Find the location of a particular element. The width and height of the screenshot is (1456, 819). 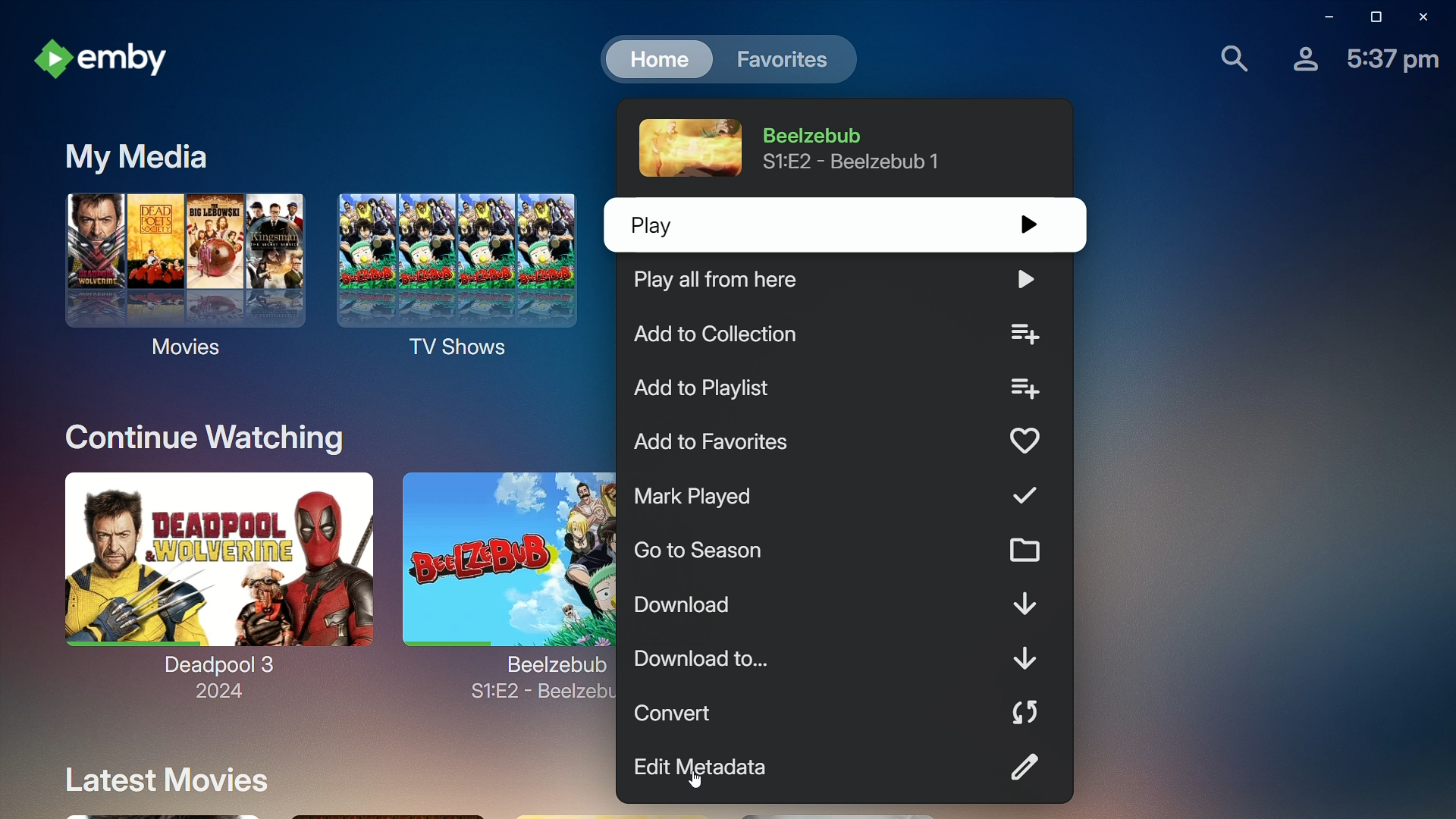

Download is located at coordinates (843, 608).